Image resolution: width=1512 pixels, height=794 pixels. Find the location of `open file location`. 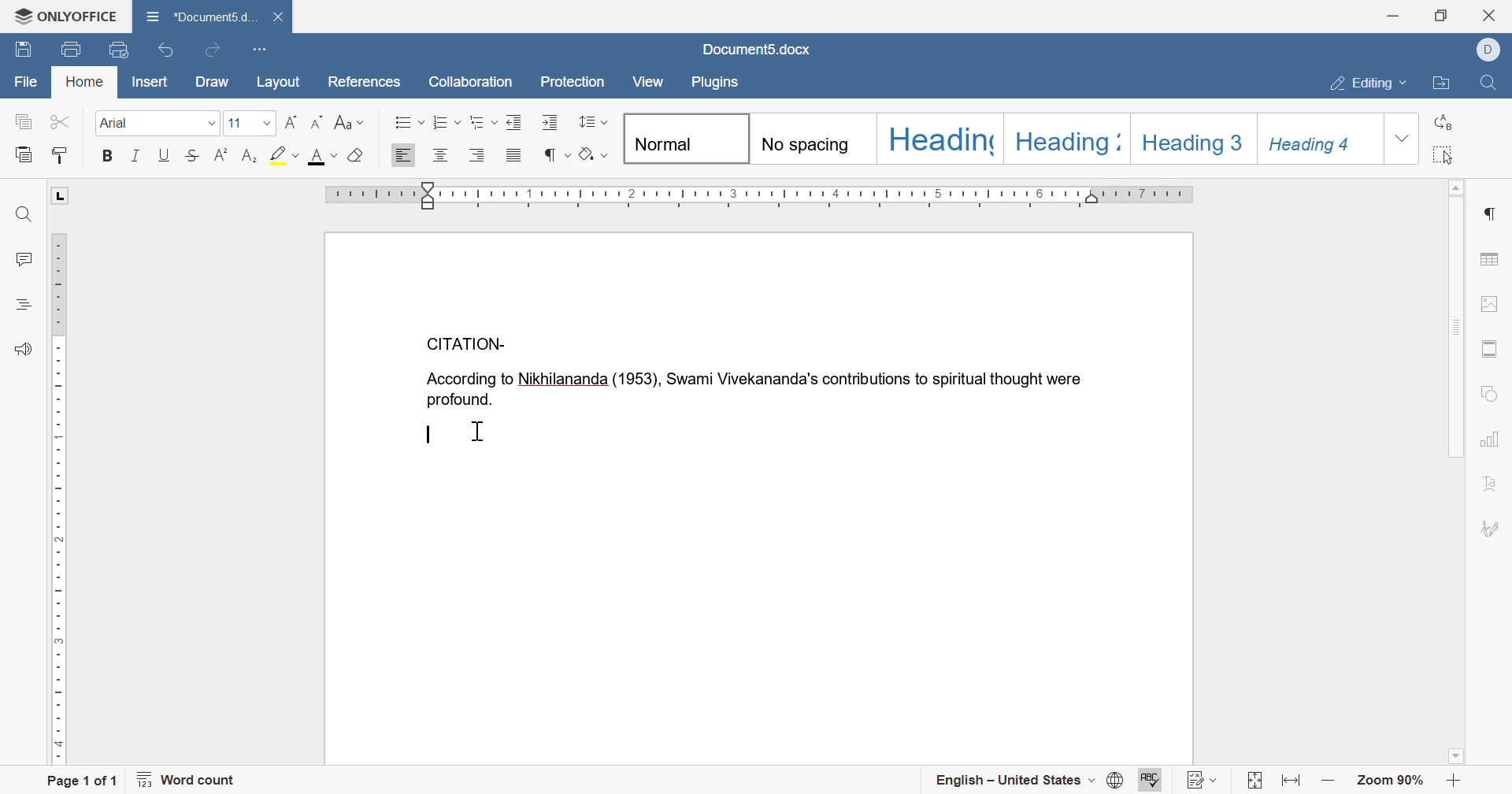

open file location is located at coordinates (1447, 85).